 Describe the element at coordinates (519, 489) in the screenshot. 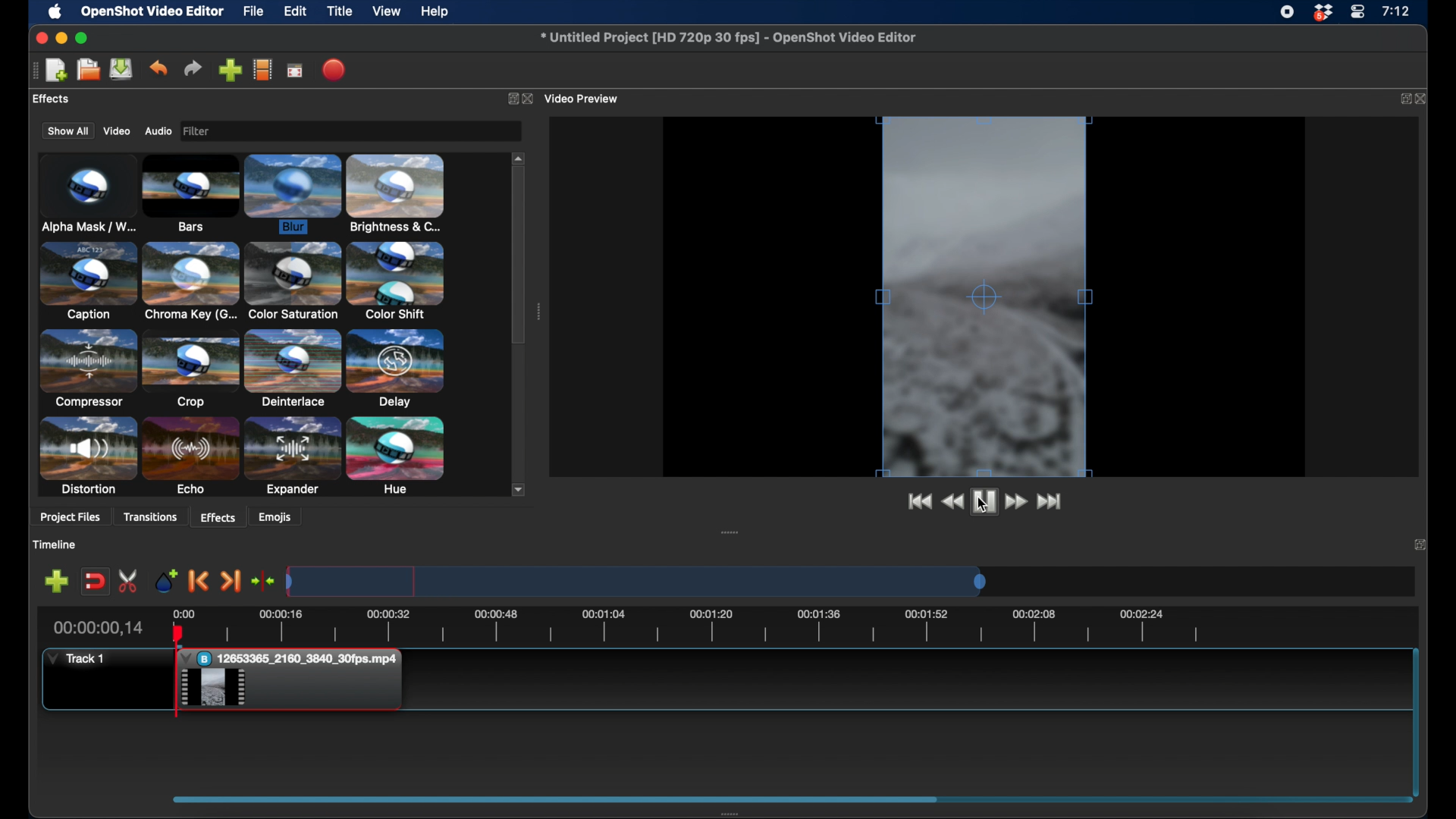

I see `scroll down arrow` at that location.